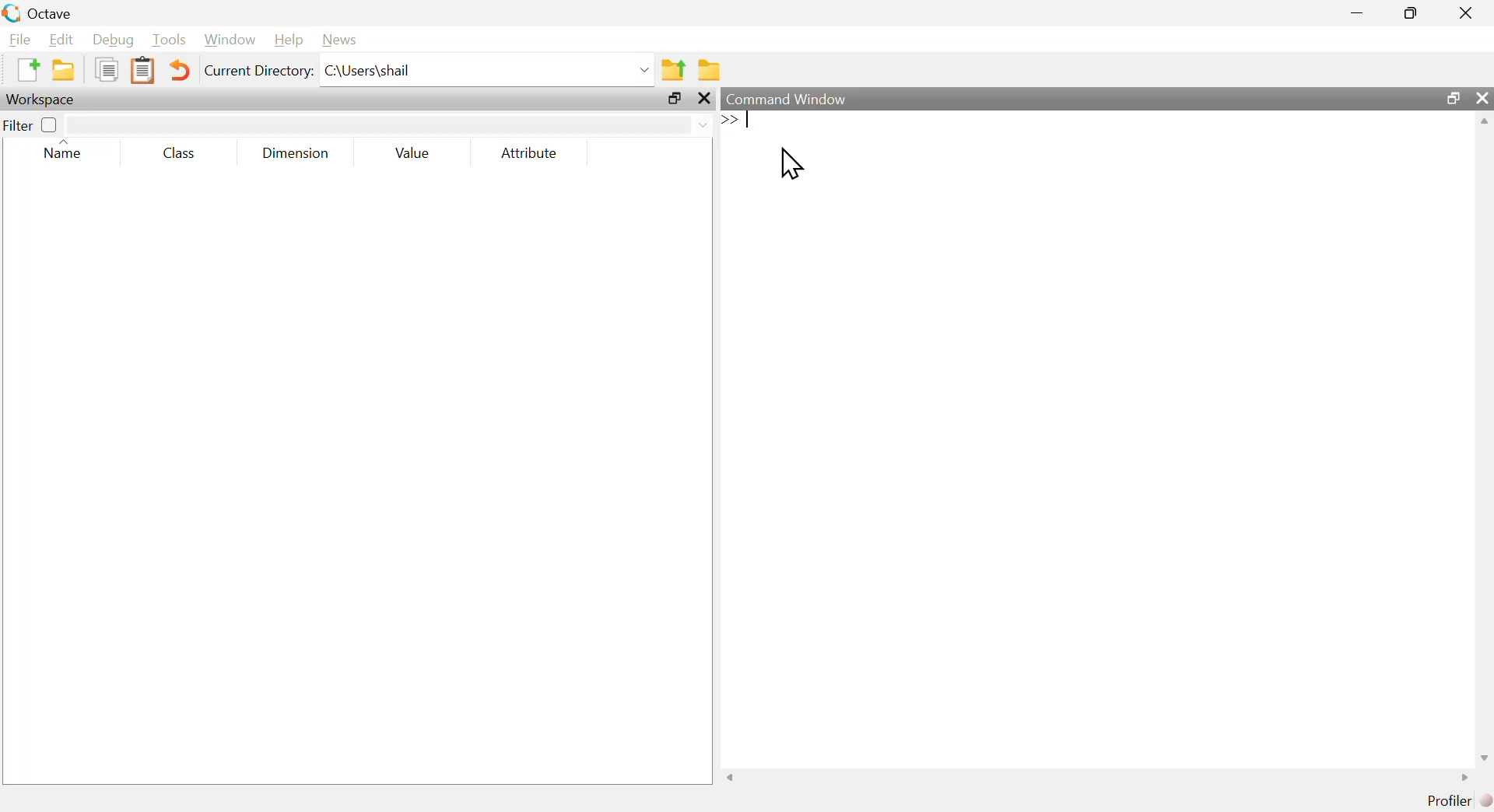 Image resolution: width=1494 pixels, height=812 pixels. What do you see at coordinates (707, 99) in the screenshot?
I see `close` at bounding box center [707, 99].